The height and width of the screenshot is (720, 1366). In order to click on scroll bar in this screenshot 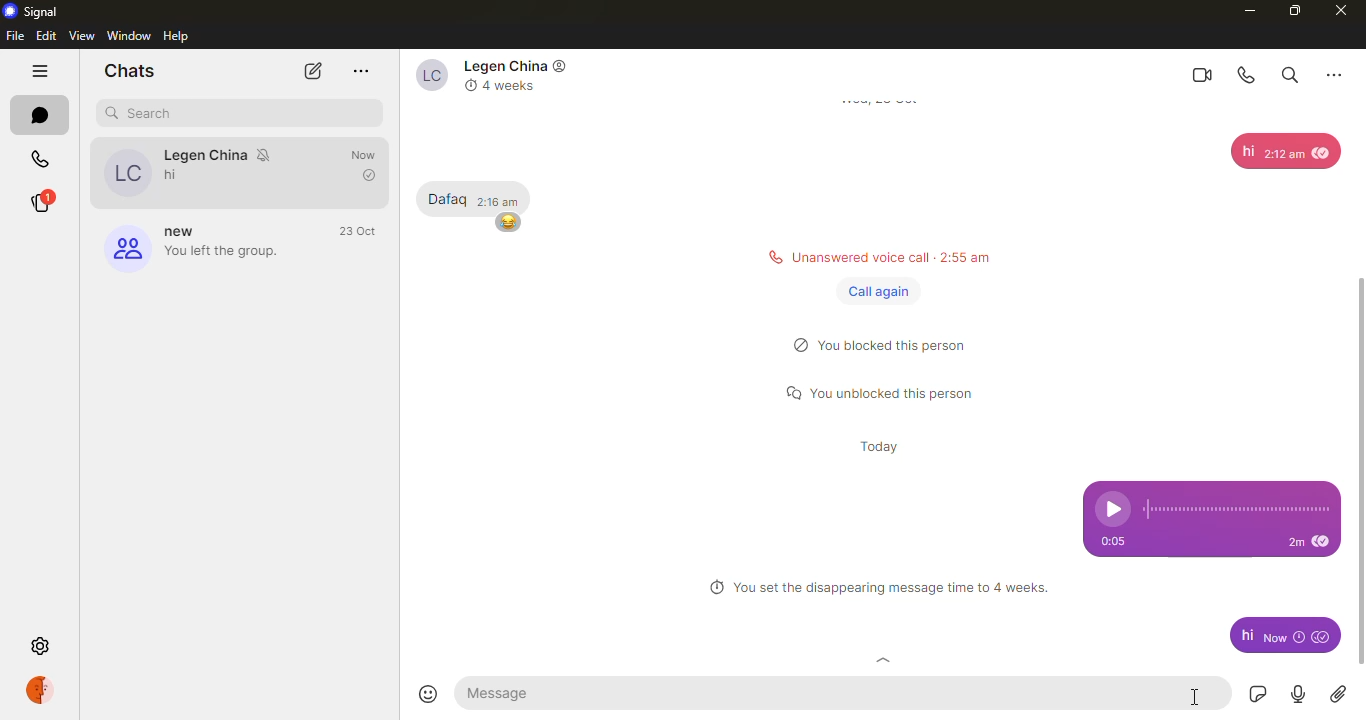, I will do `click(1365, 436)`.